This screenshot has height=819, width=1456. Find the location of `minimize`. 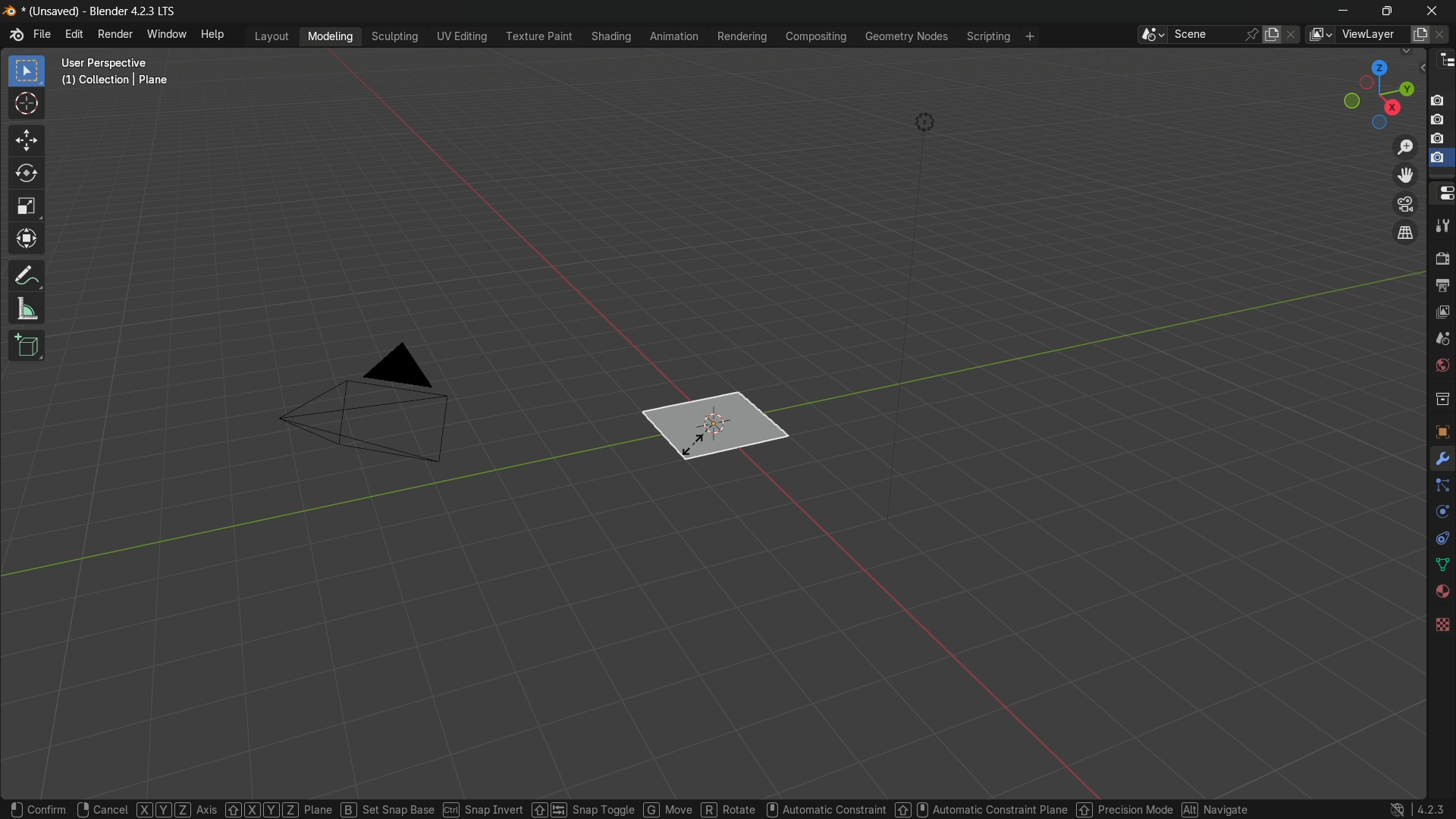

minimize is located at coordinates (1343, 11).